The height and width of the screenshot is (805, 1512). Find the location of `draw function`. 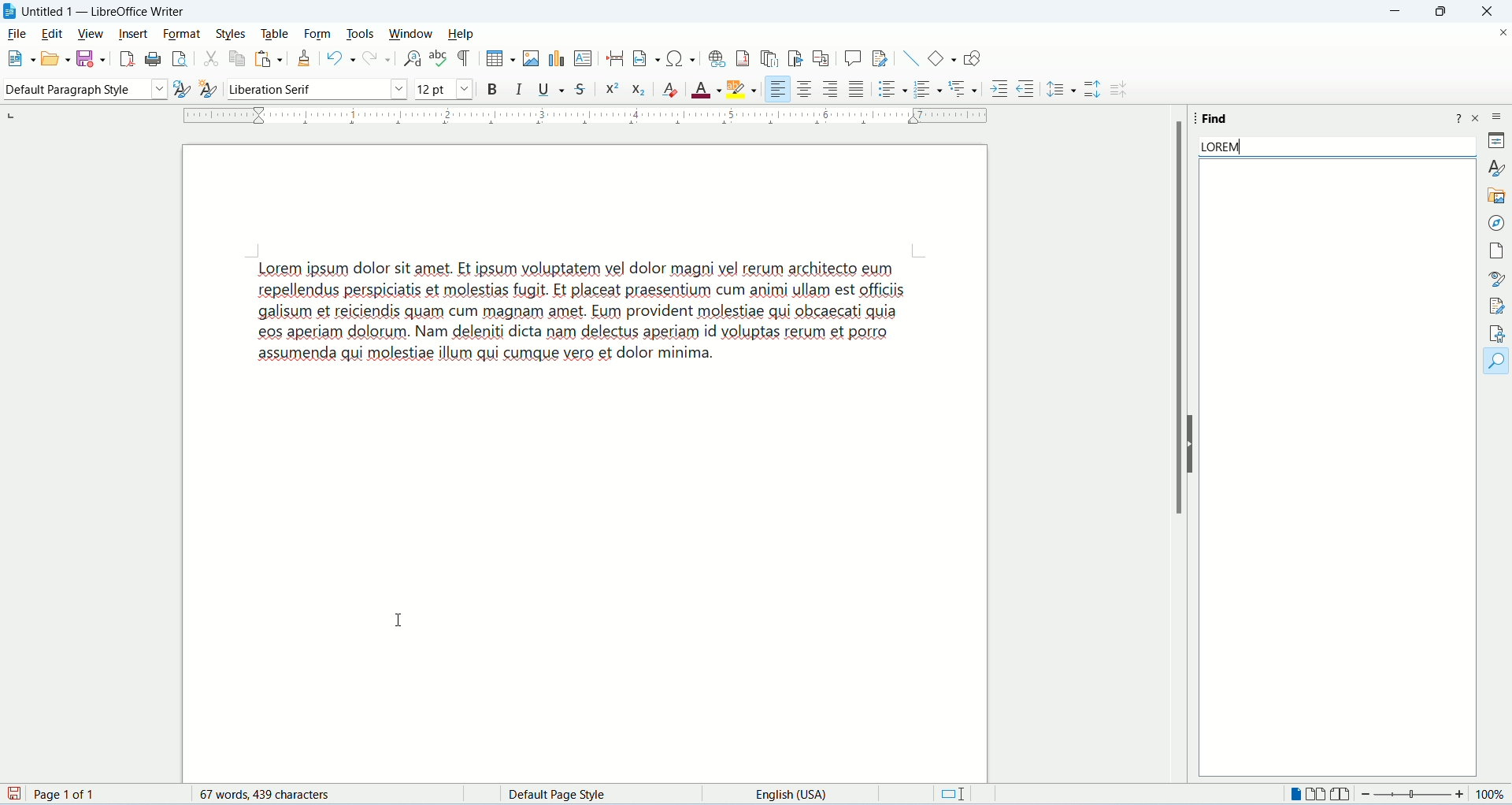

draw function is located at coordinates (976, 58).